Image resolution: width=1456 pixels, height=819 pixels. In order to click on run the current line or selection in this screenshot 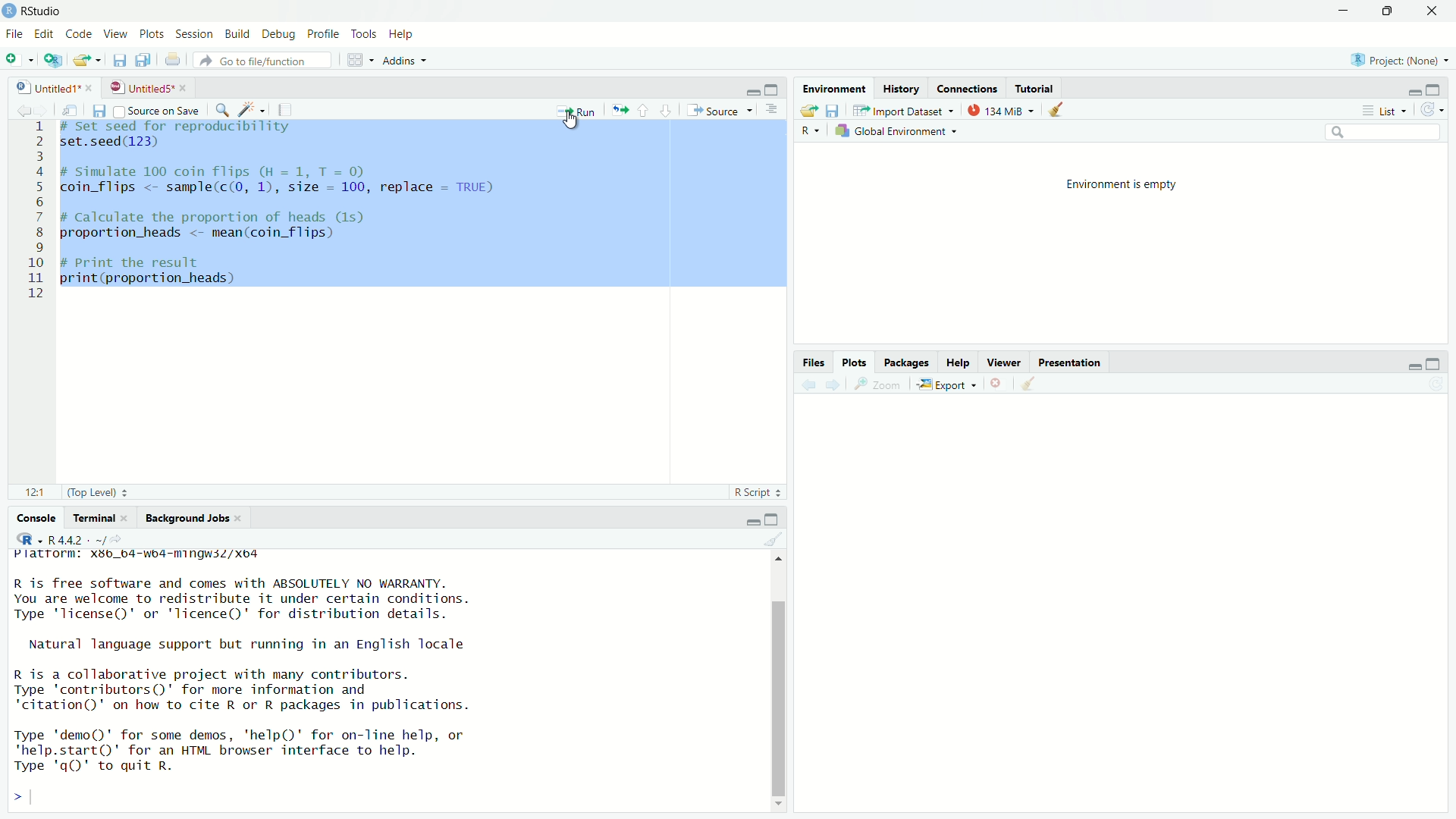, I will do `click(578, 109)`.